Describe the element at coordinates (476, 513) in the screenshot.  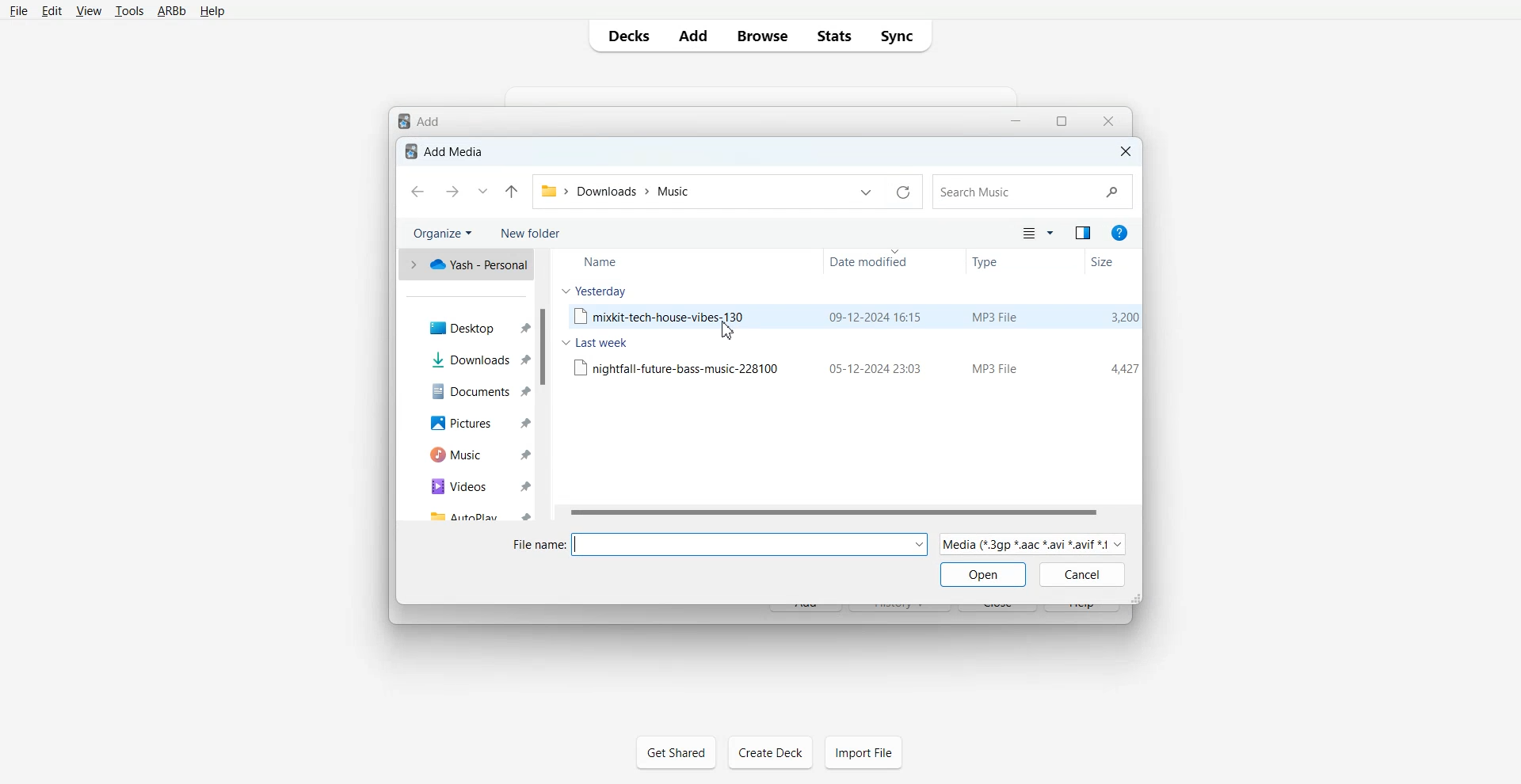
I see `AutoPlay` at that location.